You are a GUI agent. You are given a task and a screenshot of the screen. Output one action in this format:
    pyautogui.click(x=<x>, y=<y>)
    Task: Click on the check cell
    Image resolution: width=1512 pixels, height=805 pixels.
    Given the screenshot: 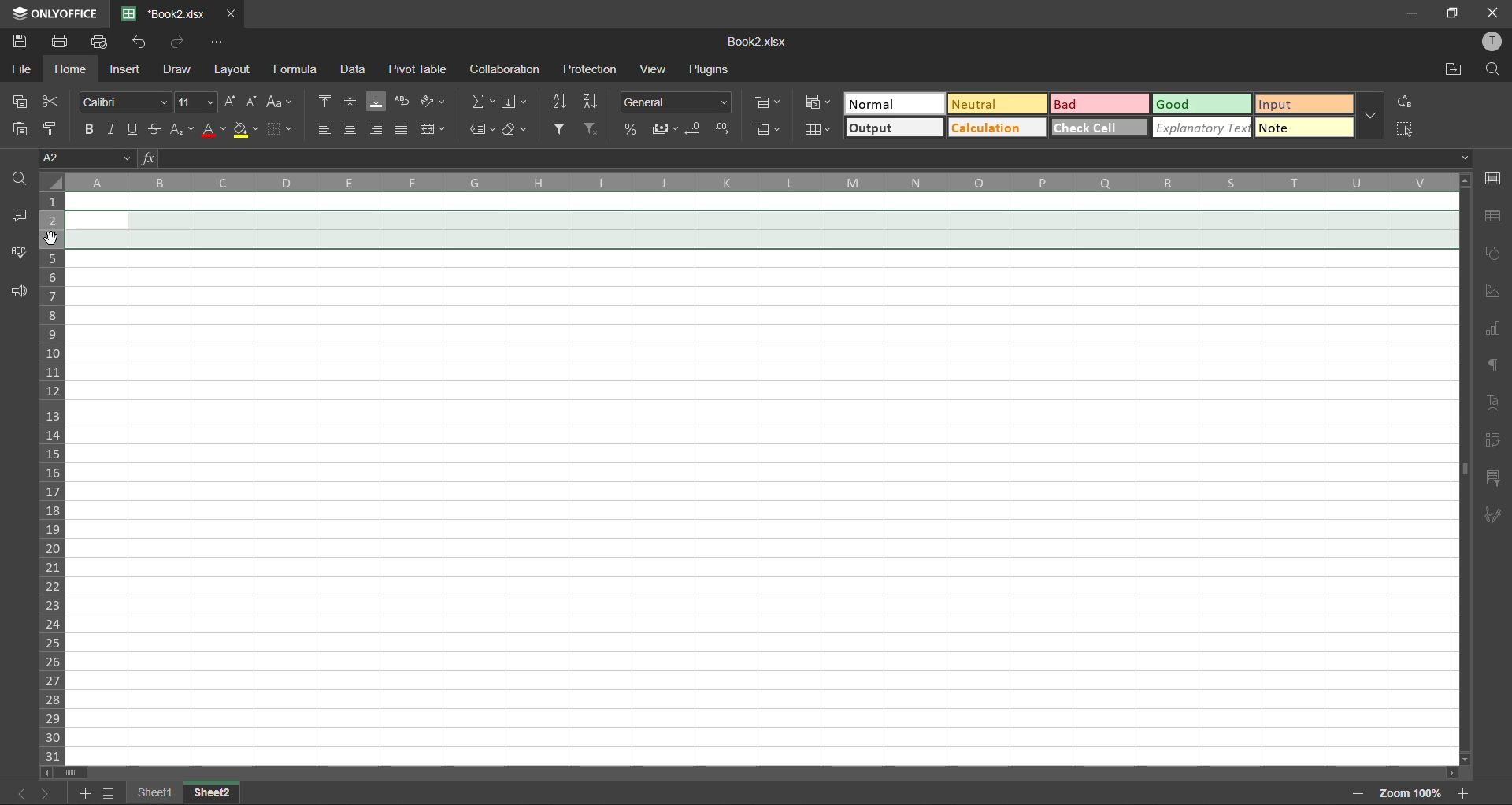 What is the action you would take?
    pyautogui.click(x=1099, y=127)
    